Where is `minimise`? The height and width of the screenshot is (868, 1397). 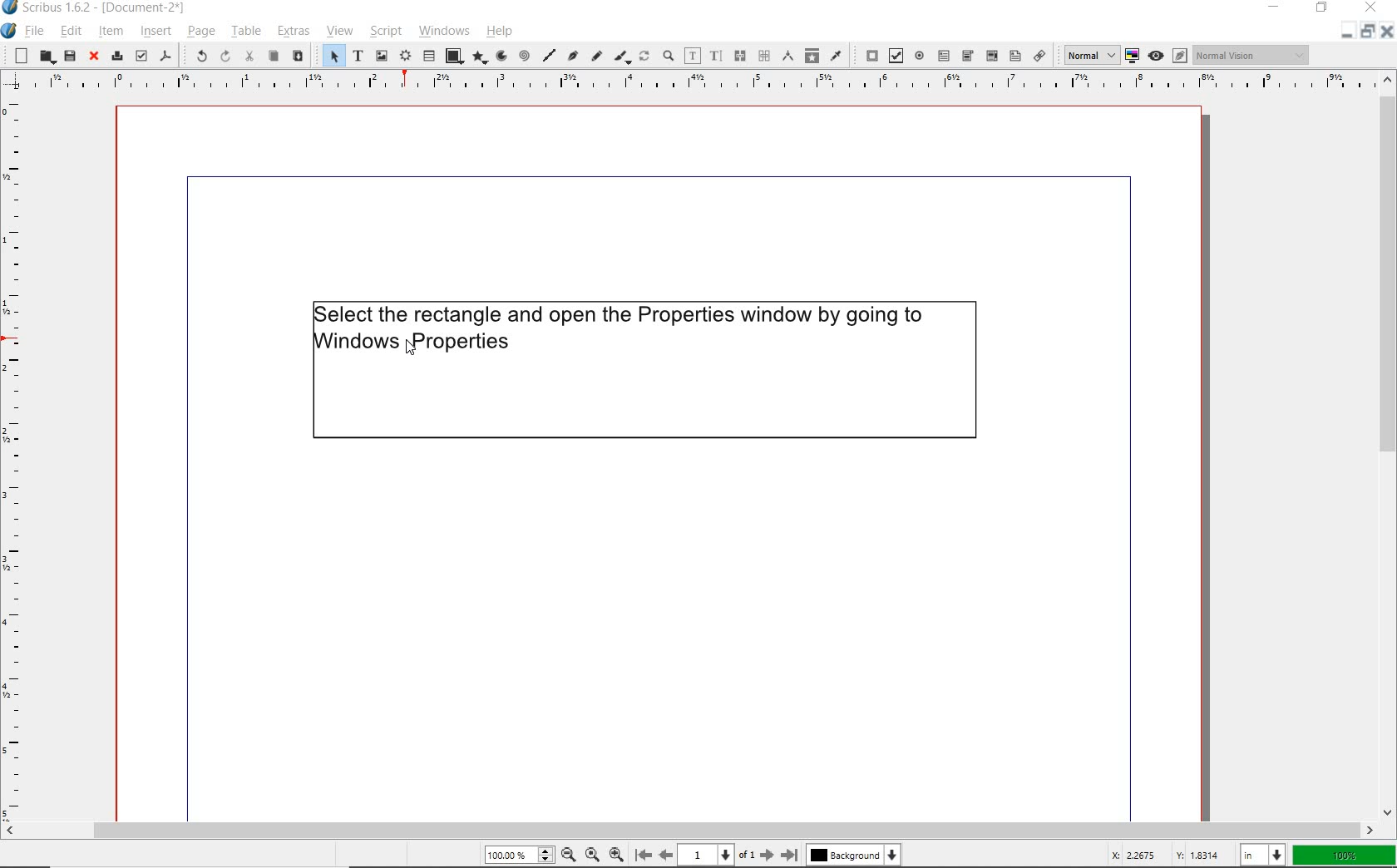
minimise is located at coordinates (1344, 34).